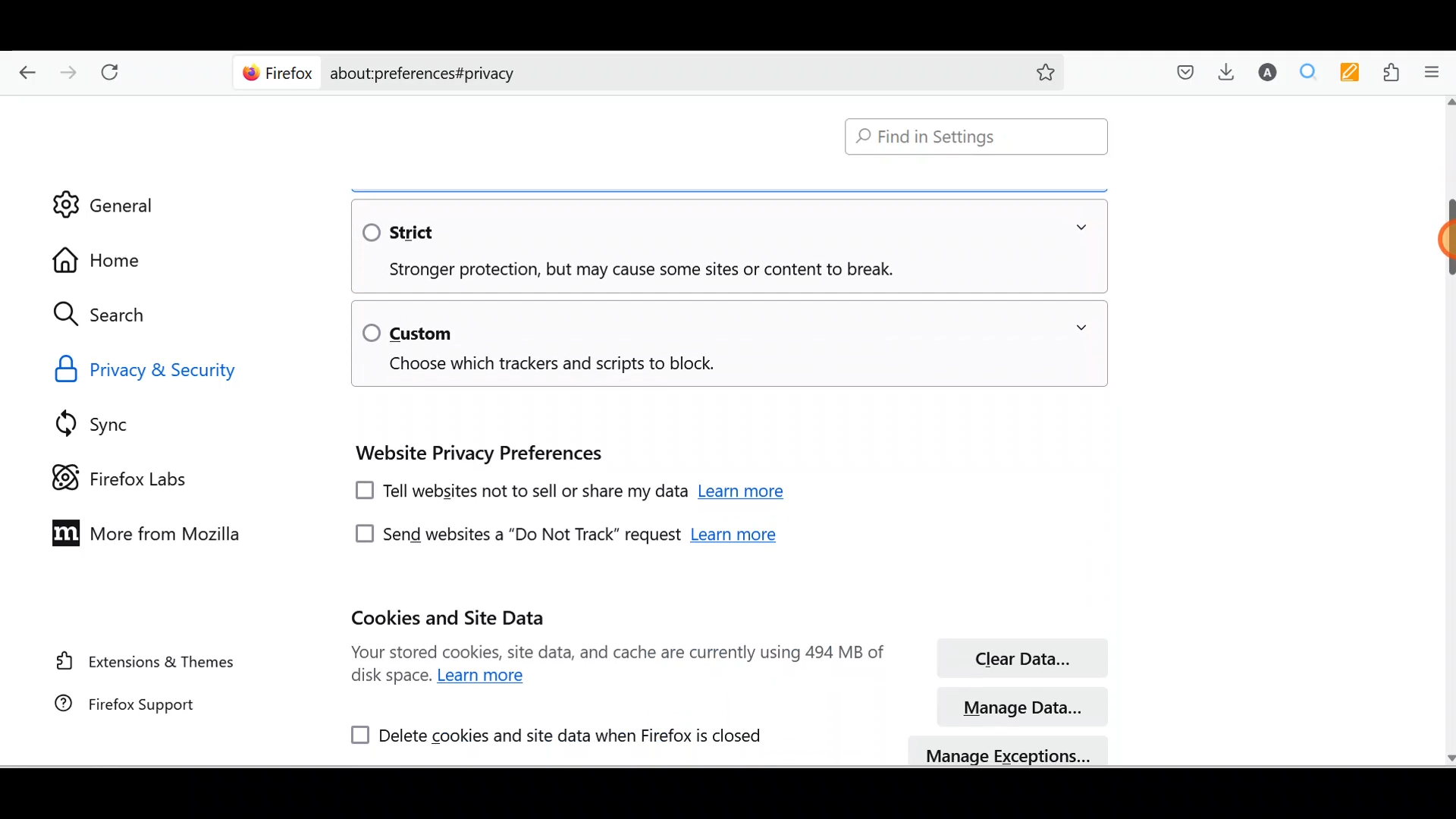 The height and width of the screenshot is (819, 1456). Describe the element at coordinates (745, 494) in the screenshot. I see `Learn more` at that location.